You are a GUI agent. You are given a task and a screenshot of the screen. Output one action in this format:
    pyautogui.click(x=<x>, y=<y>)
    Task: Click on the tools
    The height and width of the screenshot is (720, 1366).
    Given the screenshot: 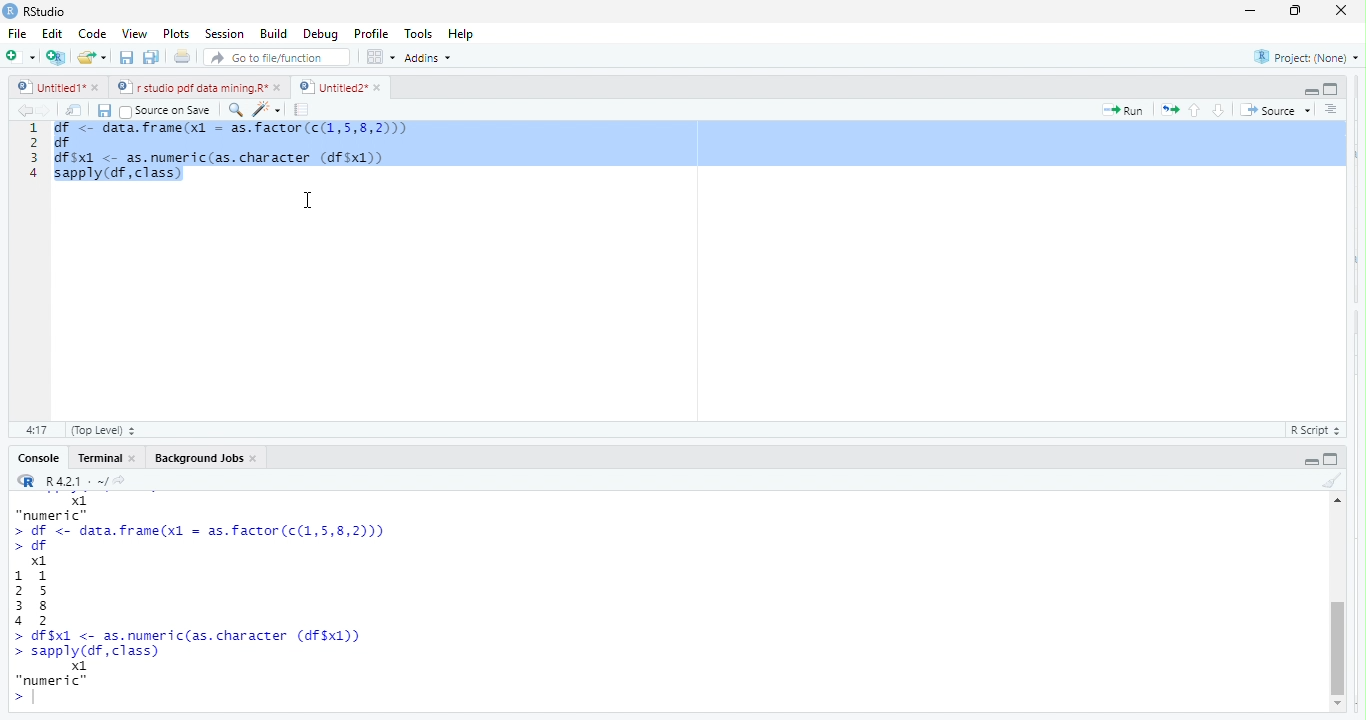 What is the action you would take?
    pyautogui.click(x=417, y=32)
    